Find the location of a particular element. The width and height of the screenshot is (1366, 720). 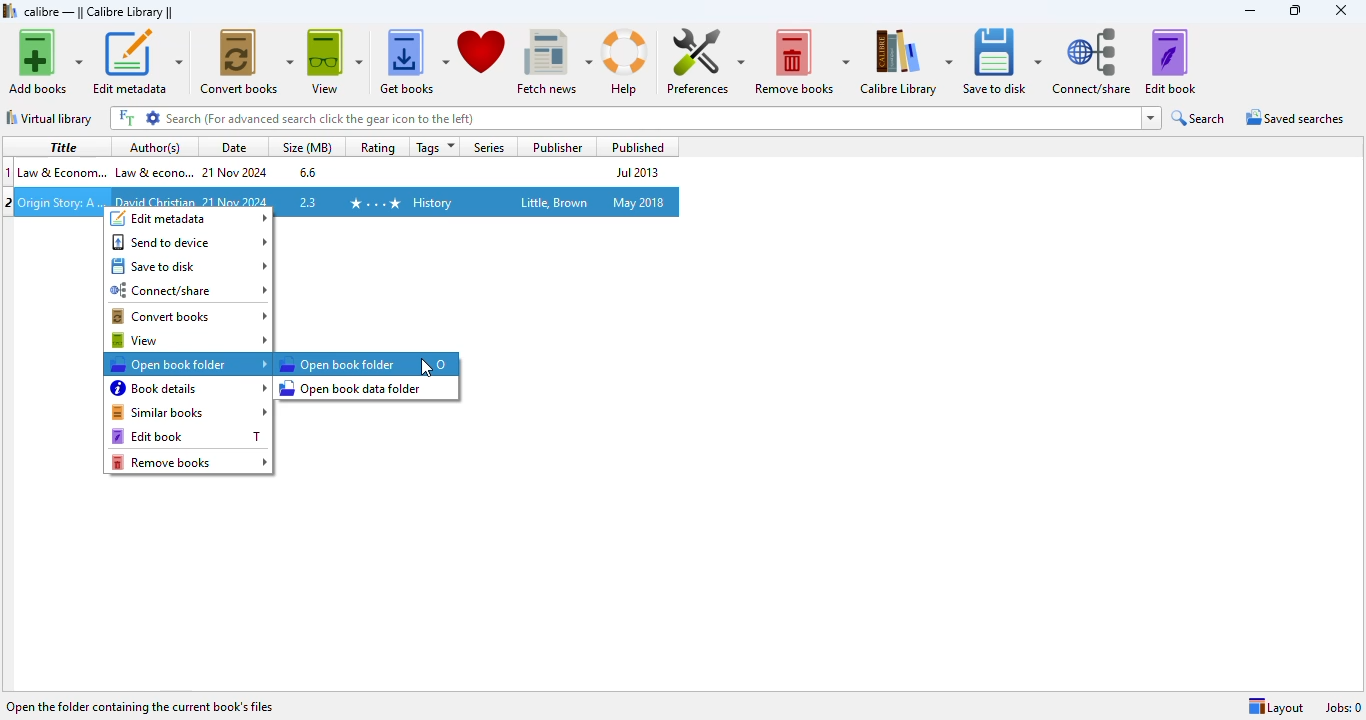

size (MB) is located at coordinates (307, 147).